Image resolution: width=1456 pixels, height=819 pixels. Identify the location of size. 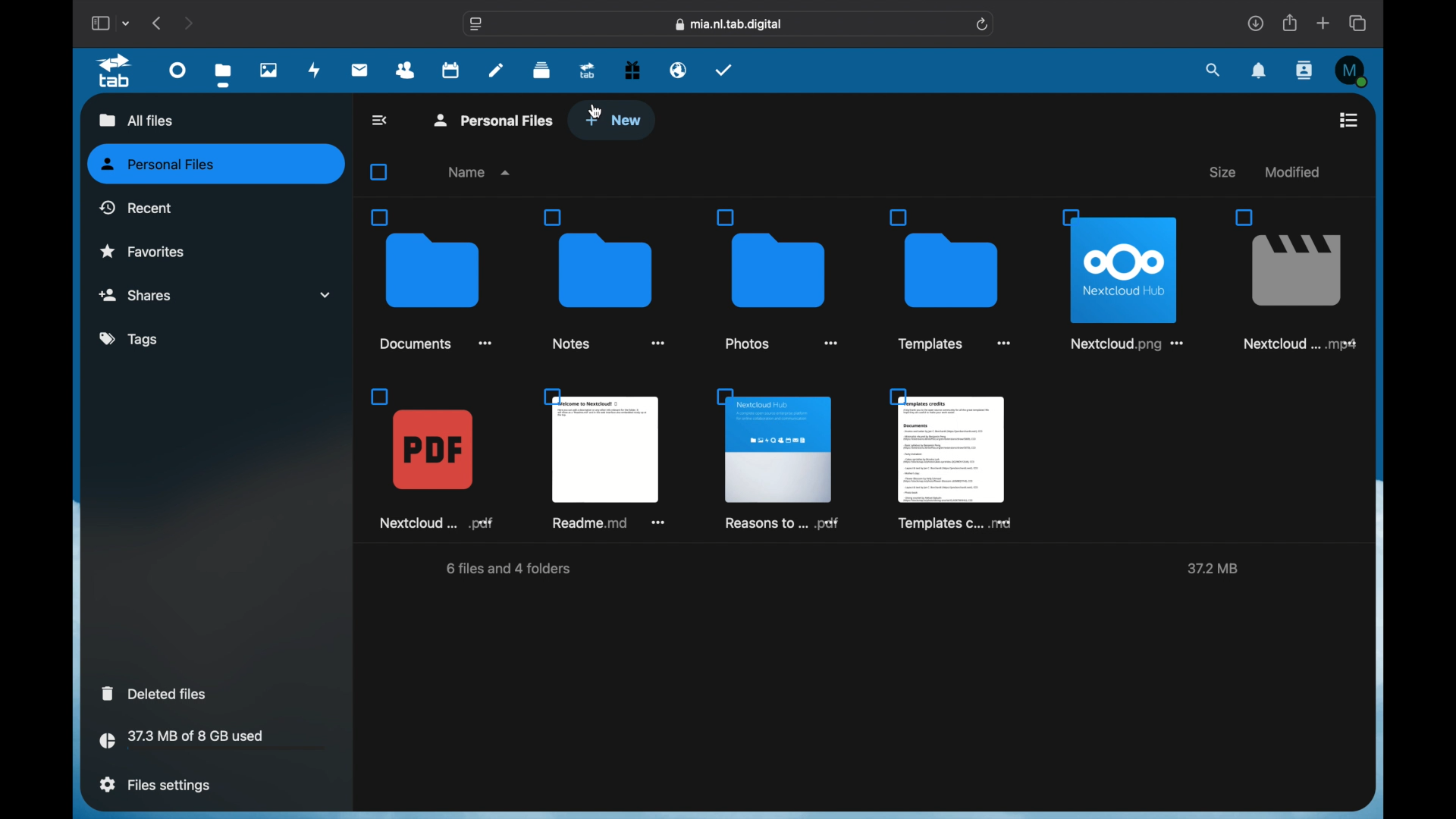
(1225, 172).